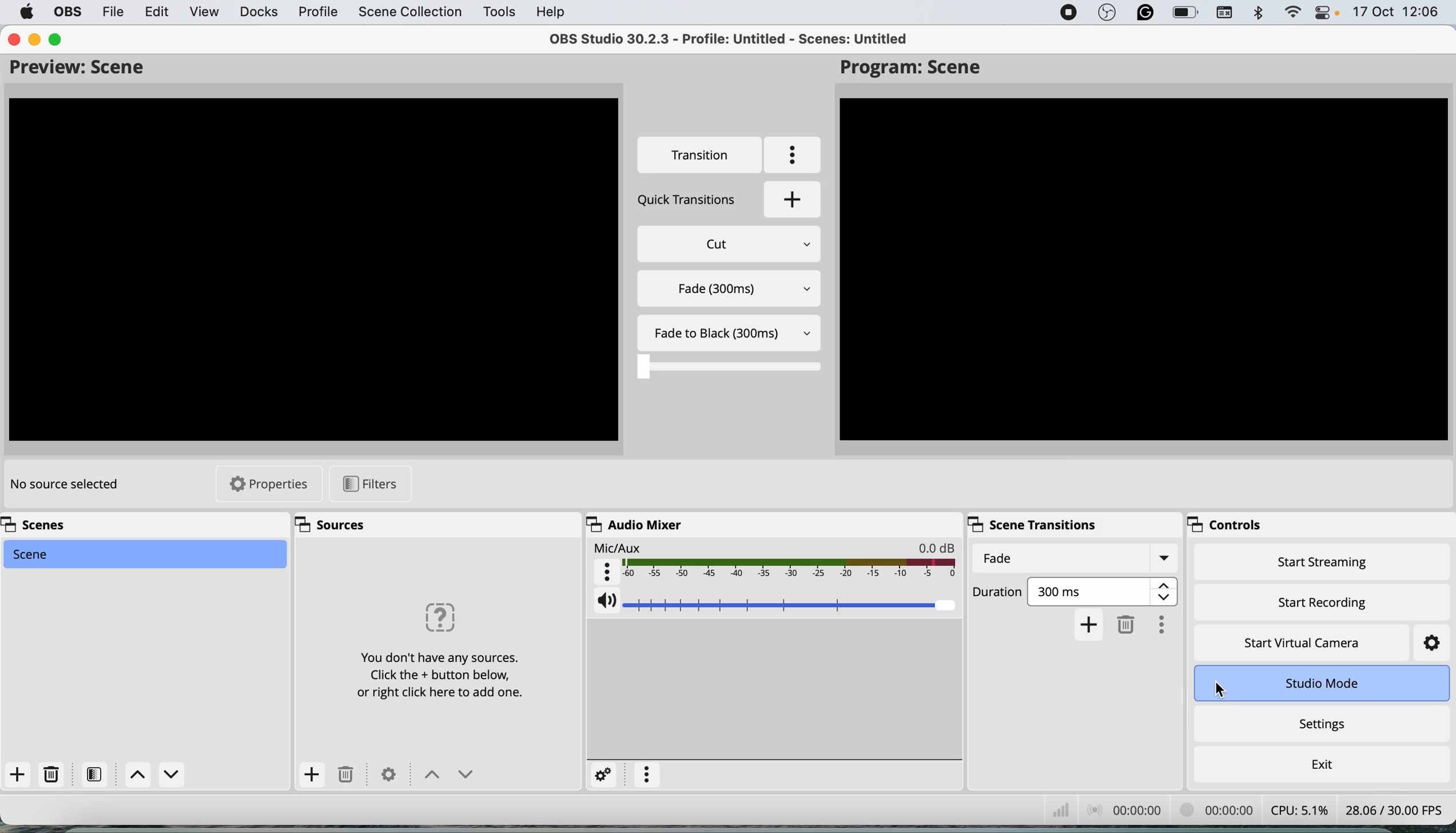 The image size is (1456, 833). I want to click on bluetooth, so click(1257, 13).